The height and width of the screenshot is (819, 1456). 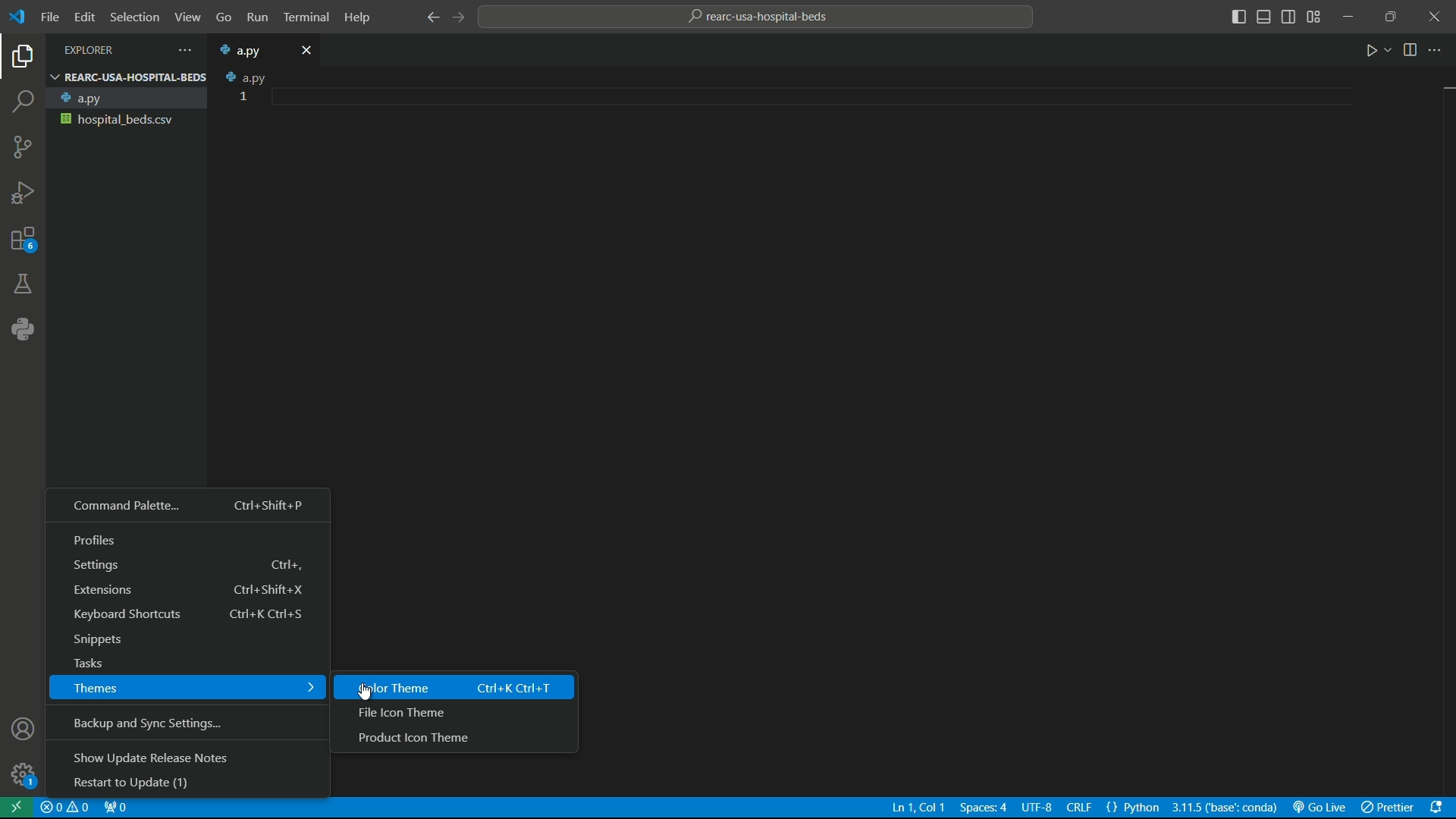 What do you see at coordinates (761, 17) in the screenshot?
I see `rearc-usa-hospital-beds` at bounding box center [761, 17].